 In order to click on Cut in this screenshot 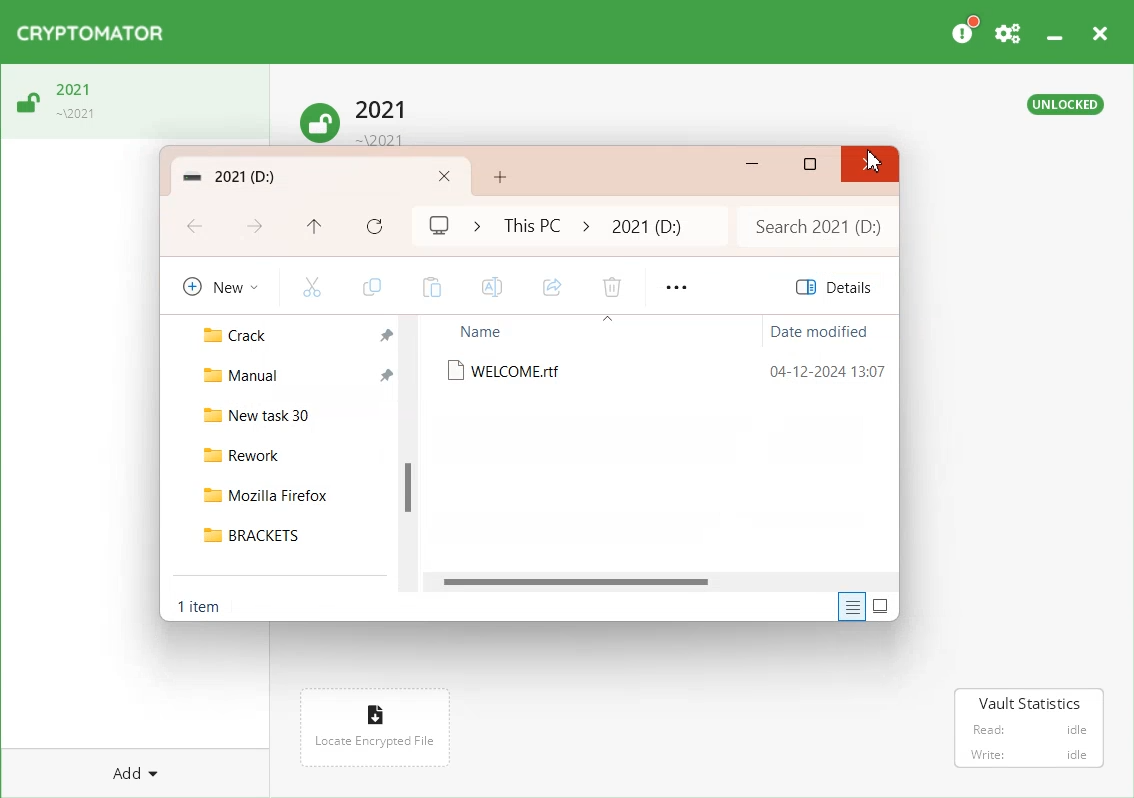, I will do `click(314, 285)`.